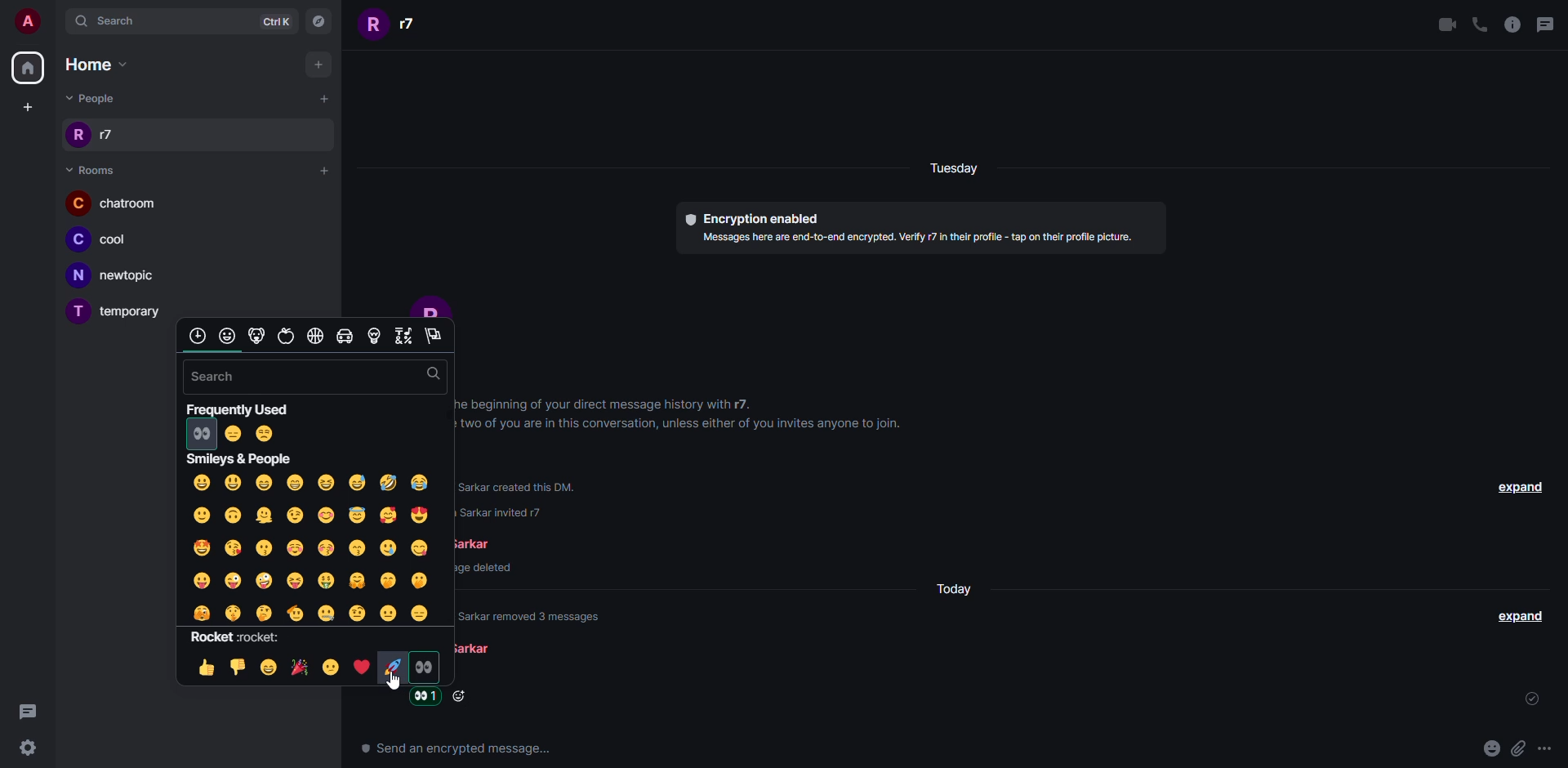 Image resolution: width=1568 pixels, height=768 pixels. What do you see at coordinates (118, 276) in the screenshot?
I see `room` at bounding box center [118, 276].